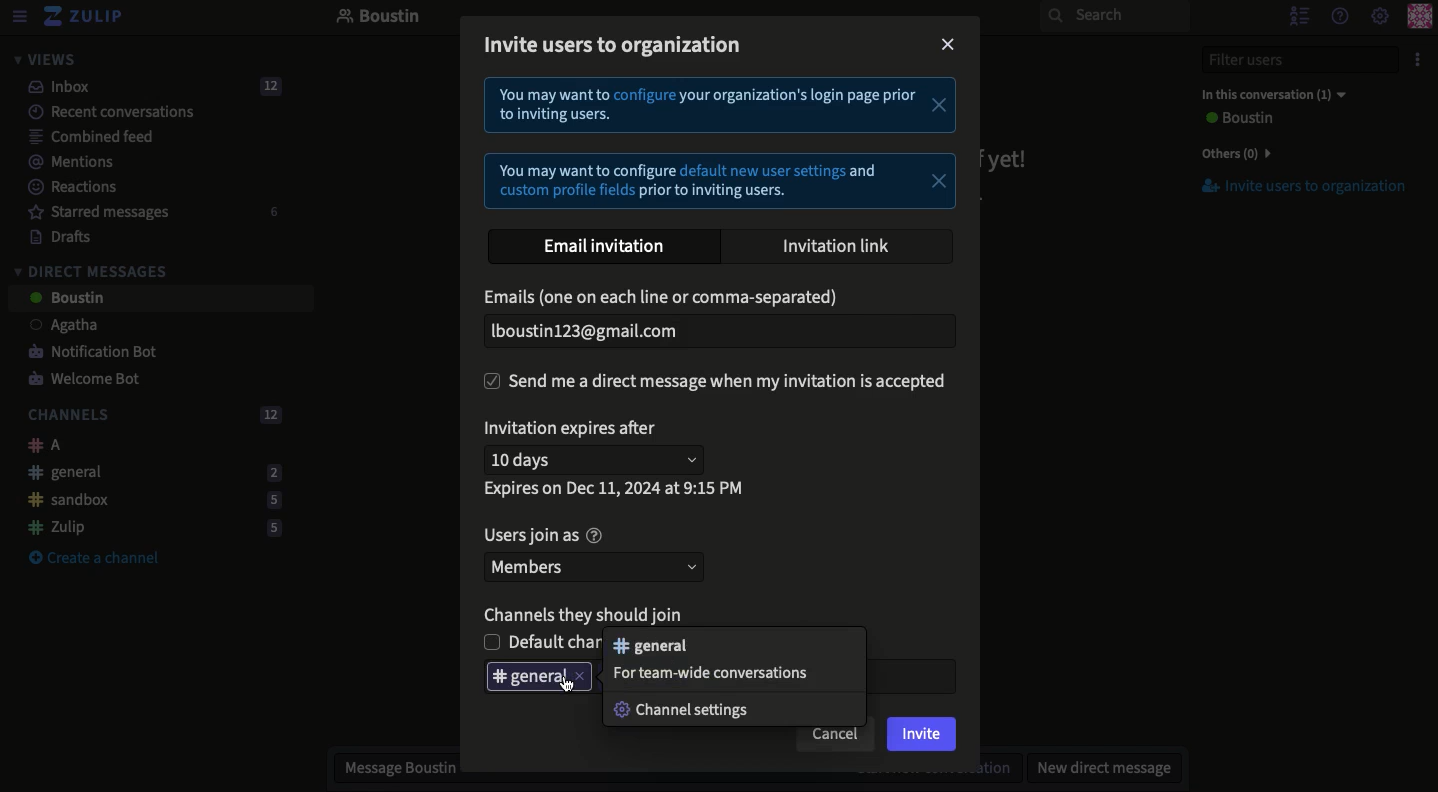  I want to click on Create a channel, so click(94, 559).